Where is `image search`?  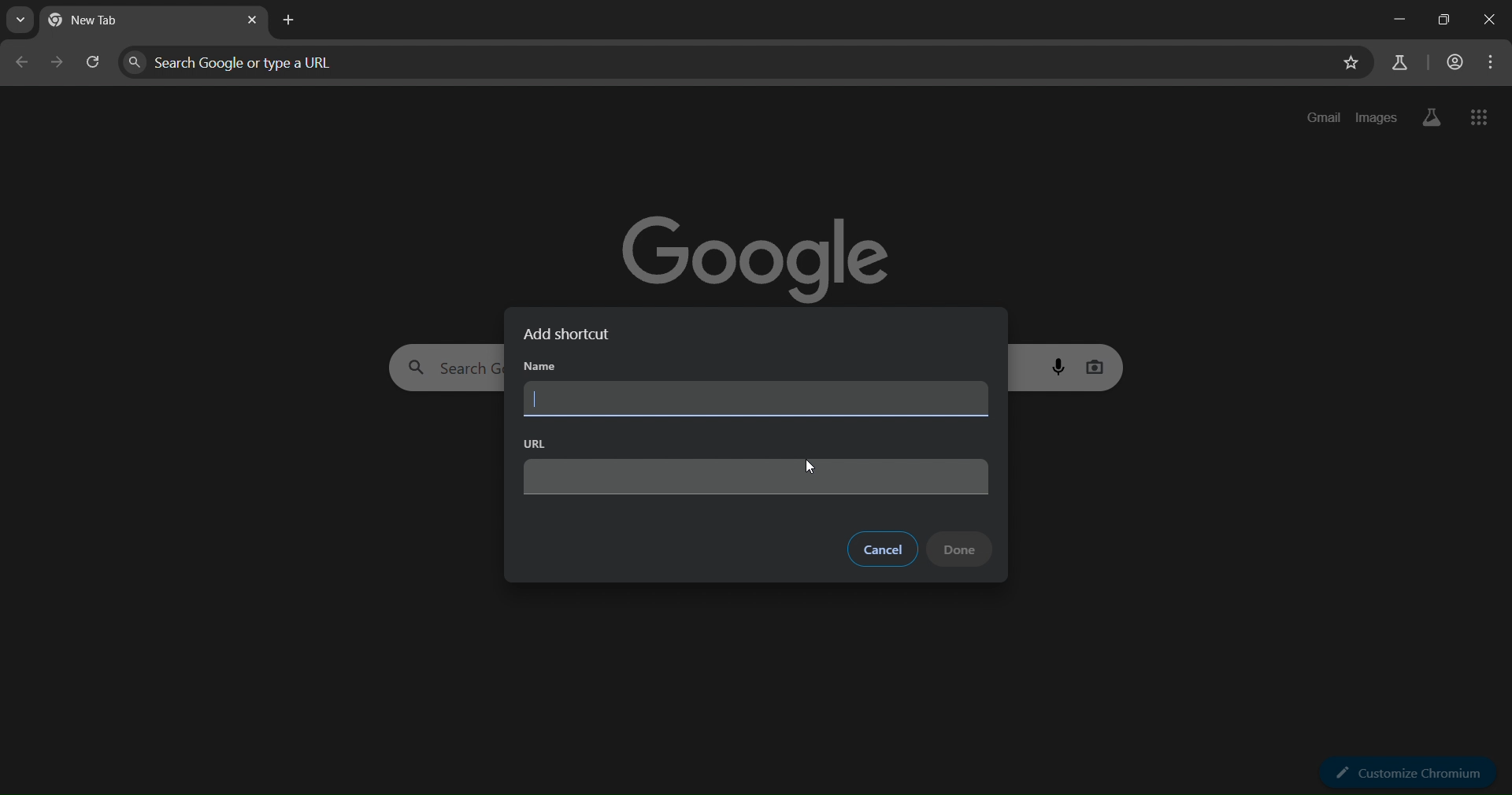 image search is located at coordinates (1097, 364).